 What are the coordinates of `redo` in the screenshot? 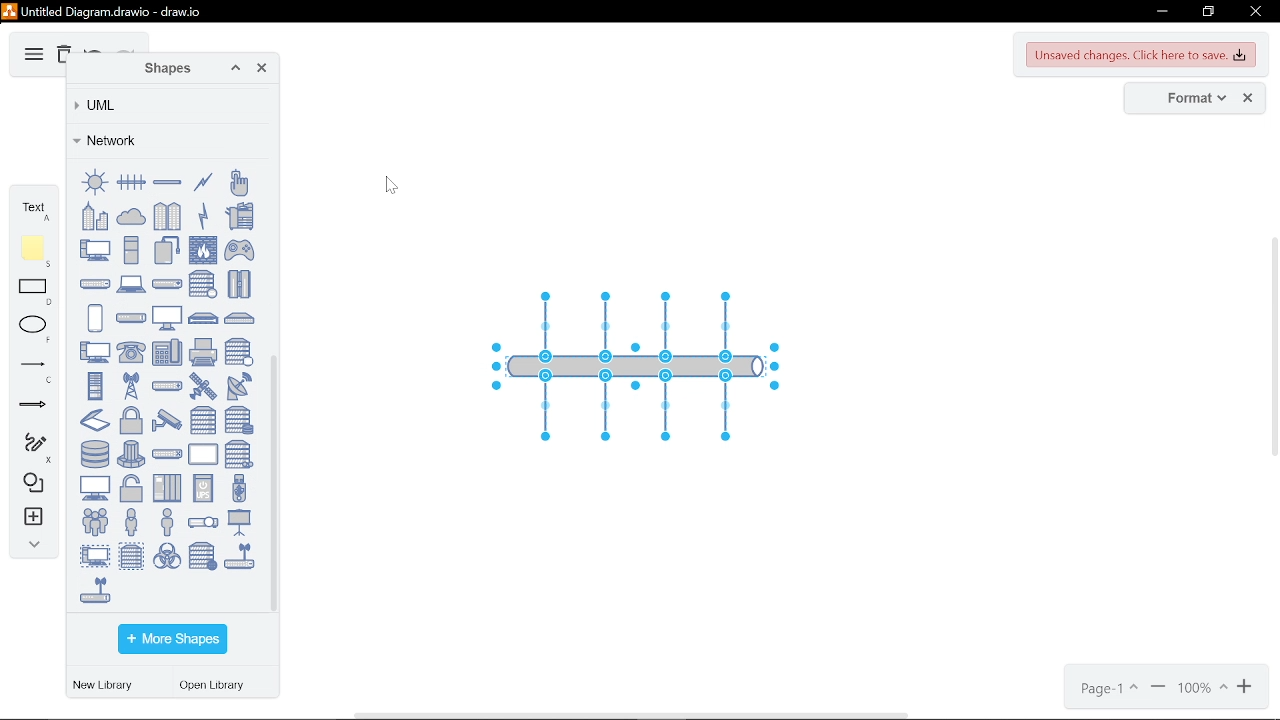 It's located at (126, 50).